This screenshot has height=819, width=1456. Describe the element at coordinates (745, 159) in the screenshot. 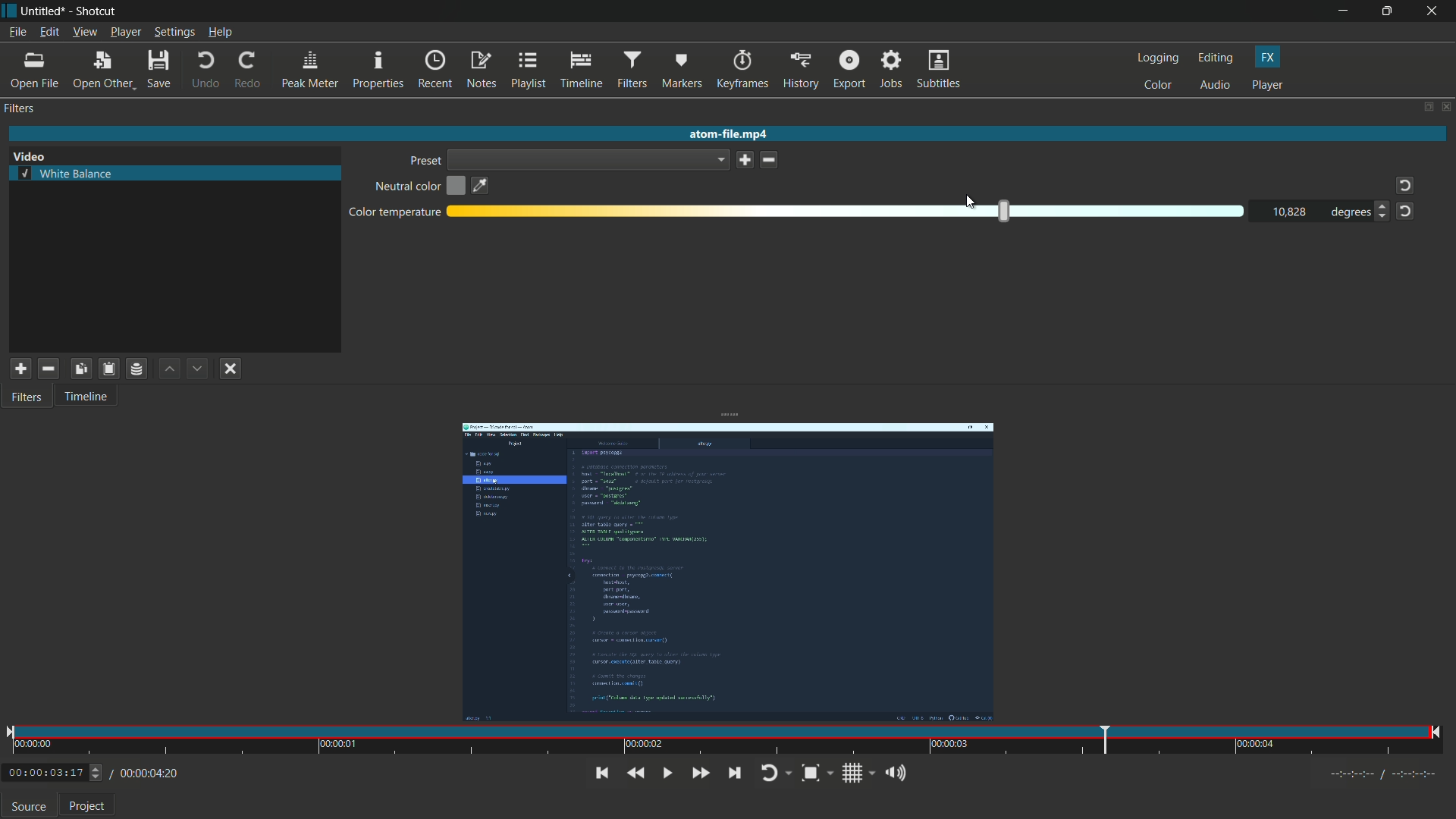

I see `save` at that location.